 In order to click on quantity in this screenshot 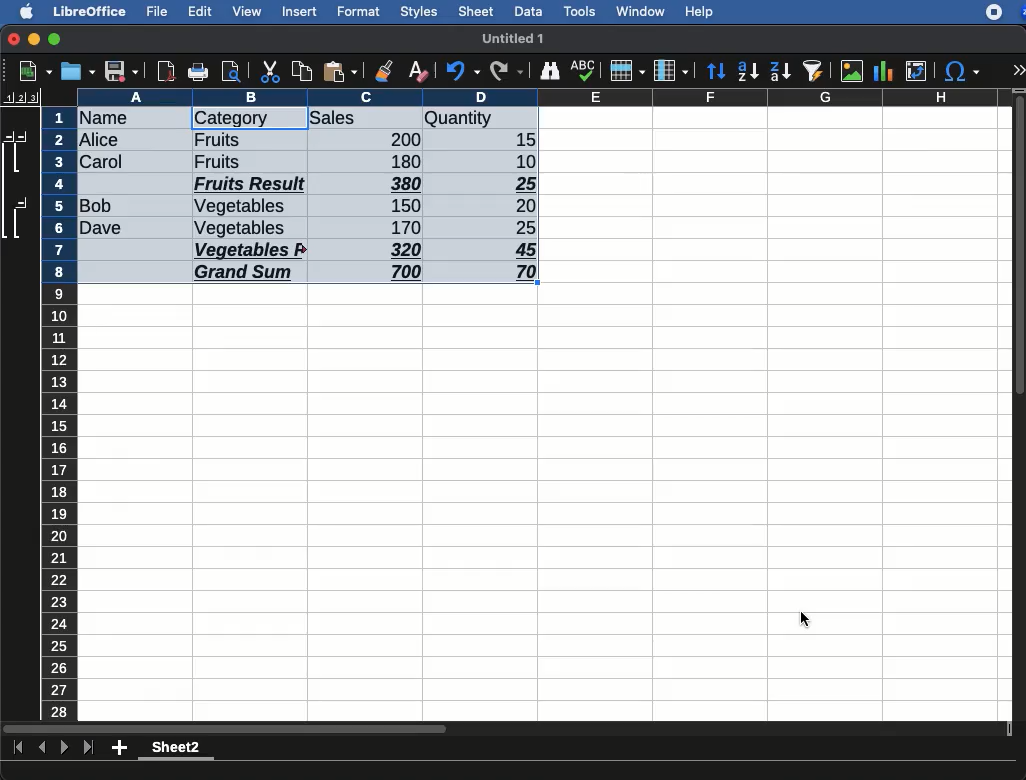, I will do `click(462, 119)`.